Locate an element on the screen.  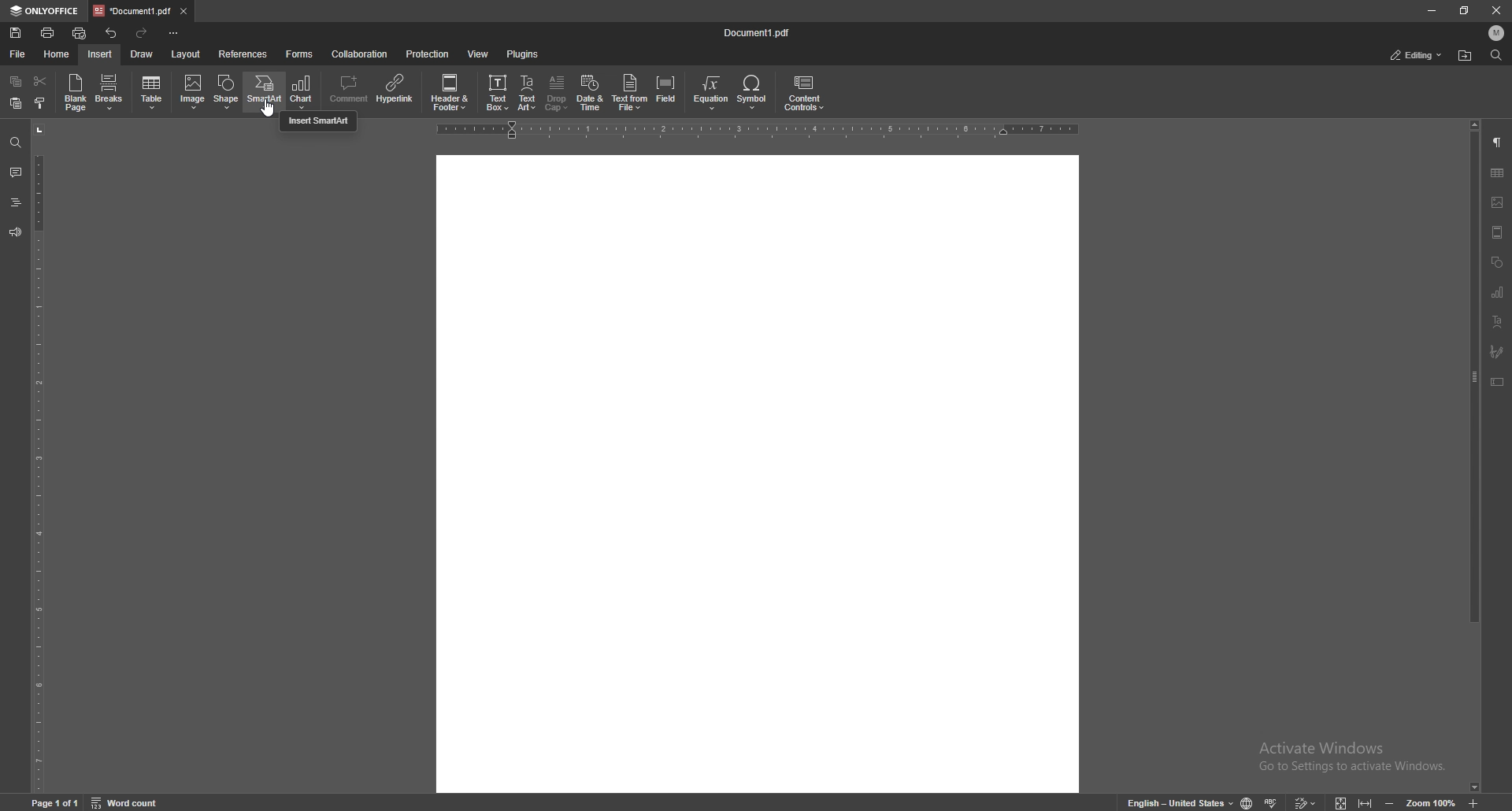
view is located at coordinates (478, 54).